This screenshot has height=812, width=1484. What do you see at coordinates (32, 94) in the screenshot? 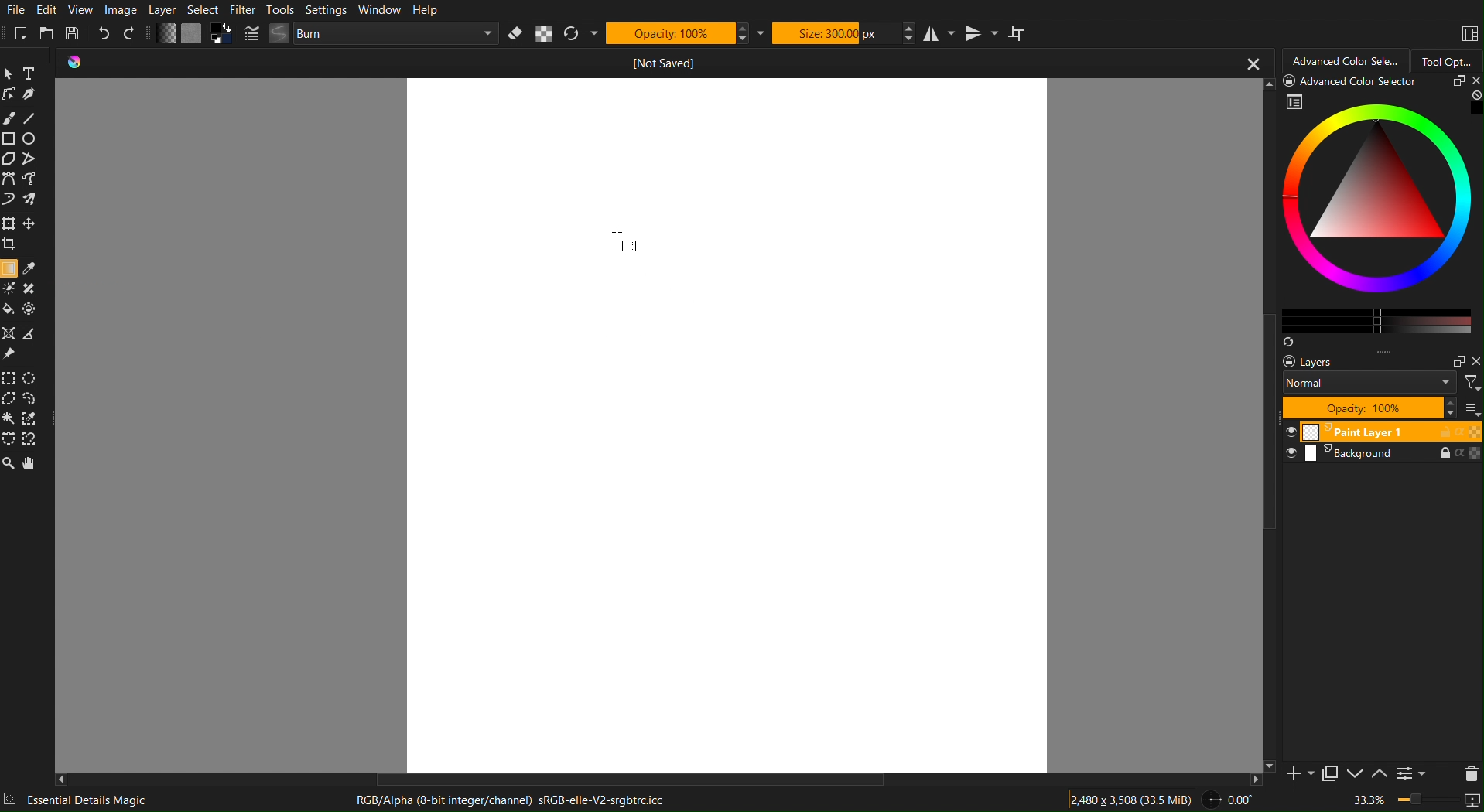
I see `Pen` at bounding box center [32, 94].